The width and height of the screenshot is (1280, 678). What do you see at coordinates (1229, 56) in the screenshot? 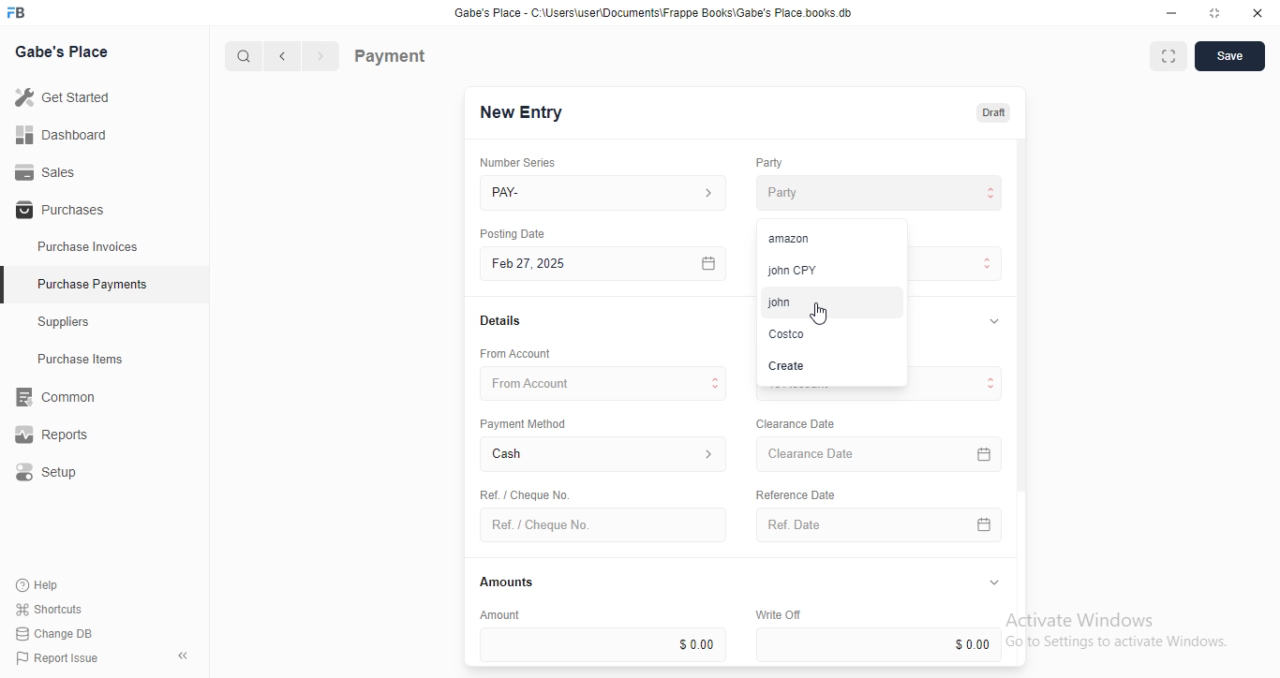
I see `Save` at bounding box center [1229, 56].